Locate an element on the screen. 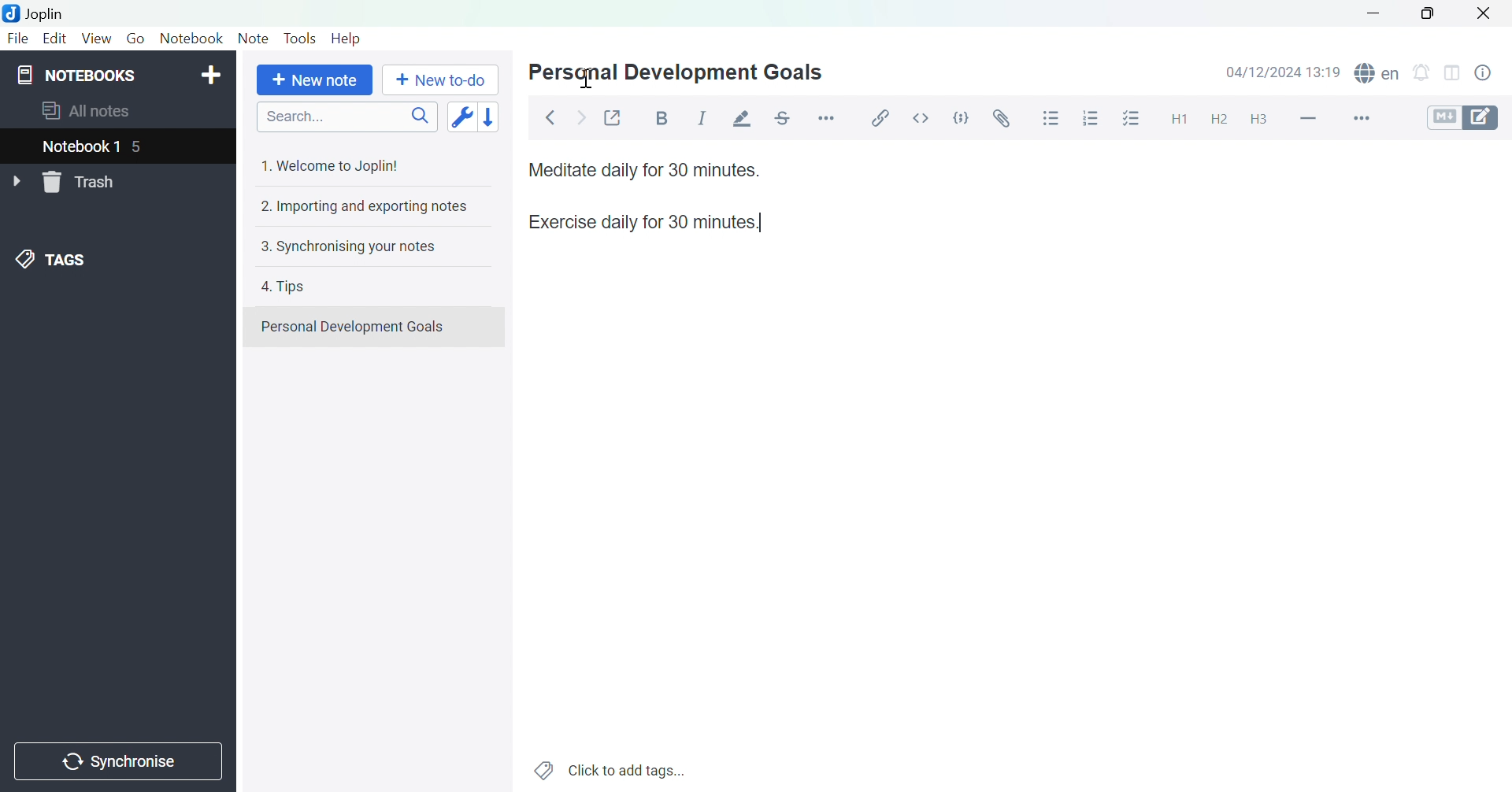 The width and height of the screenshot is (1512, 792). Numbered list is located at coordinates (1089, 119).